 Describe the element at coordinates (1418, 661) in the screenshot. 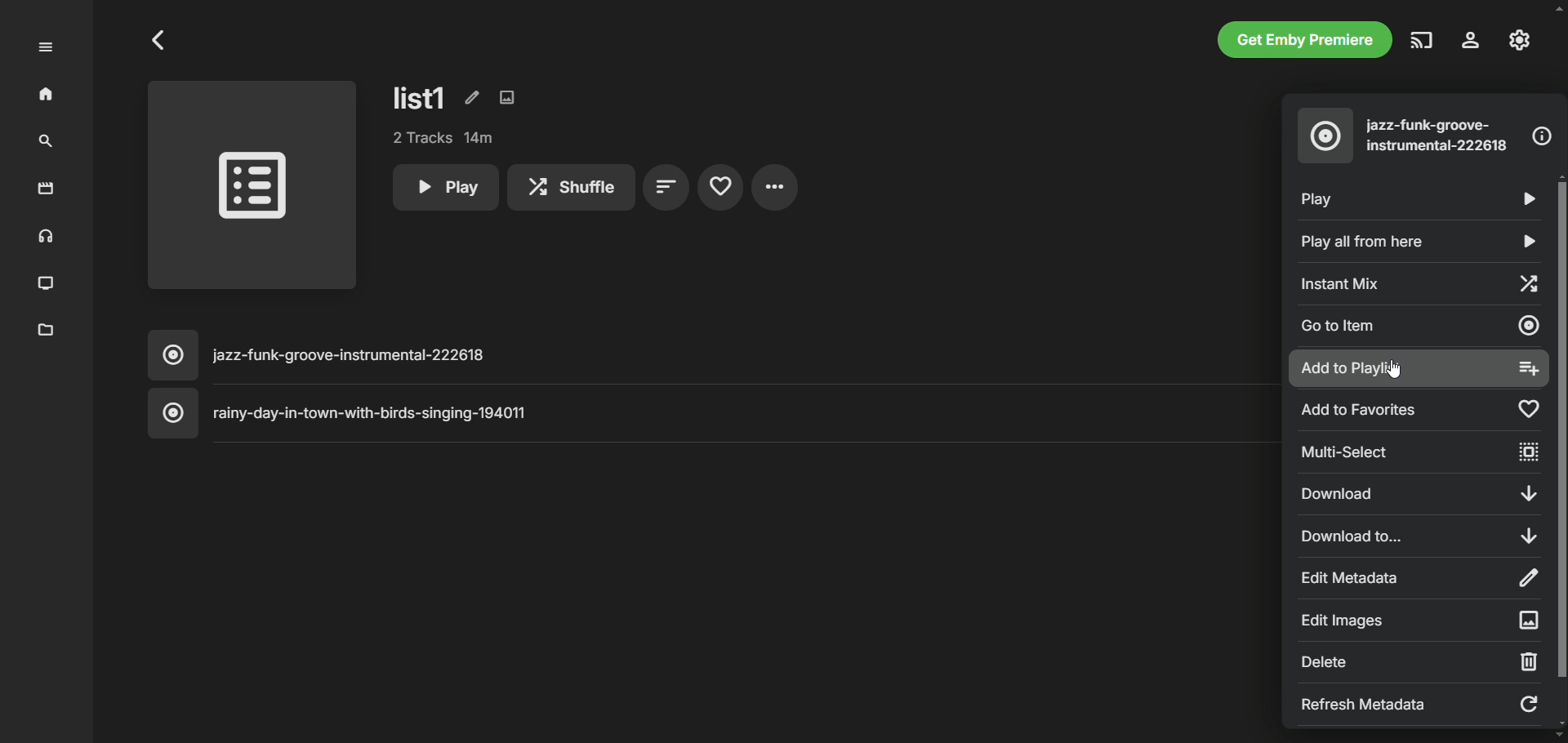

I see `delete` at that location.